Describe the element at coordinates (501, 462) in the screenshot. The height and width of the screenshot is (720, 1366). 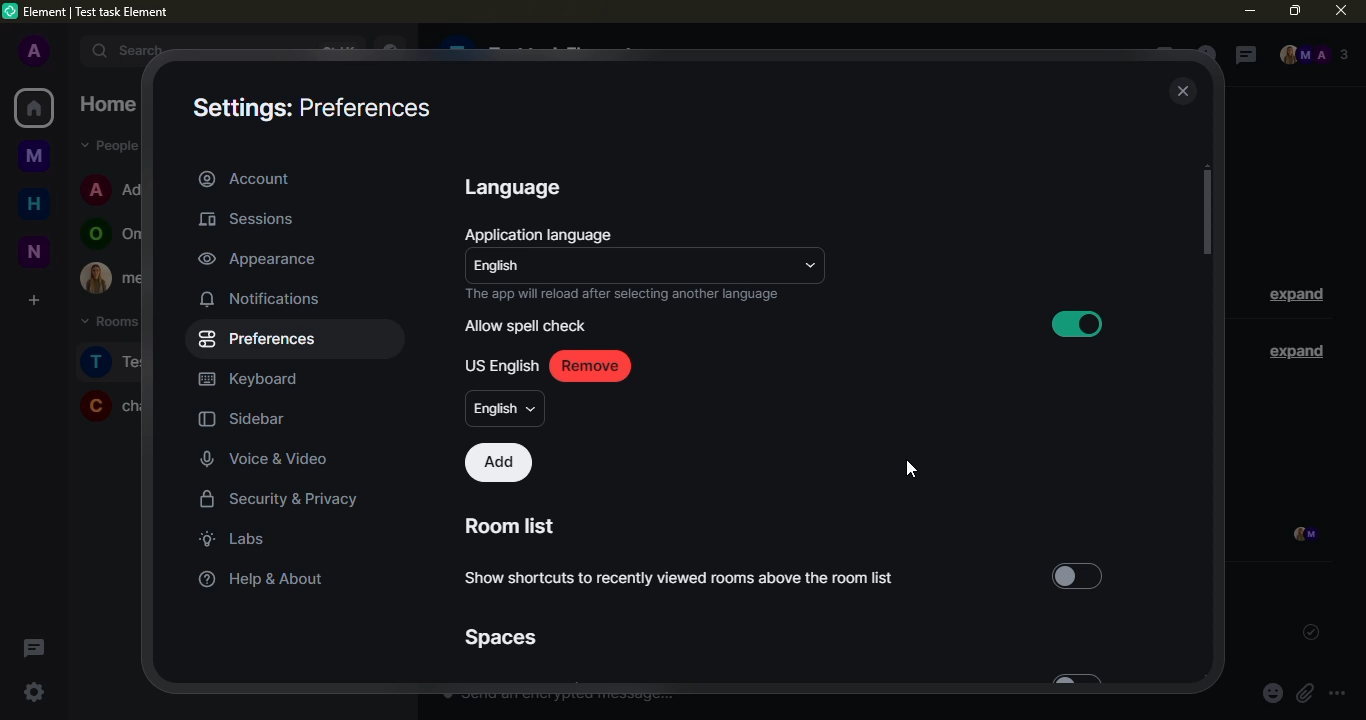
I see `add` at that location.